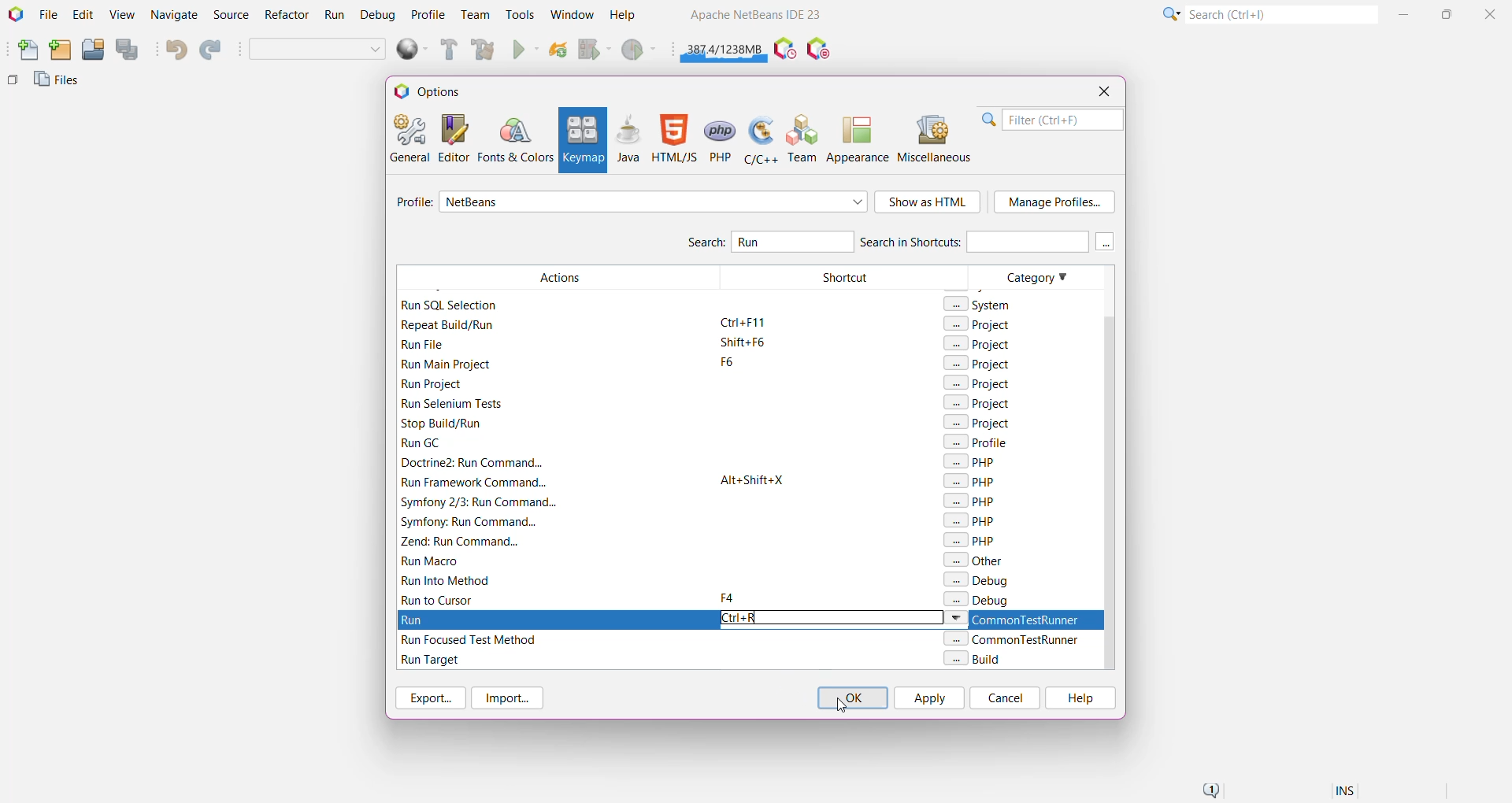 Image resolution: width=1512 pixels, height=803 pixels. What do you see at coordinates (450, 138) in the screenshot?
I see `Editor` at bounding box center [450, 138].